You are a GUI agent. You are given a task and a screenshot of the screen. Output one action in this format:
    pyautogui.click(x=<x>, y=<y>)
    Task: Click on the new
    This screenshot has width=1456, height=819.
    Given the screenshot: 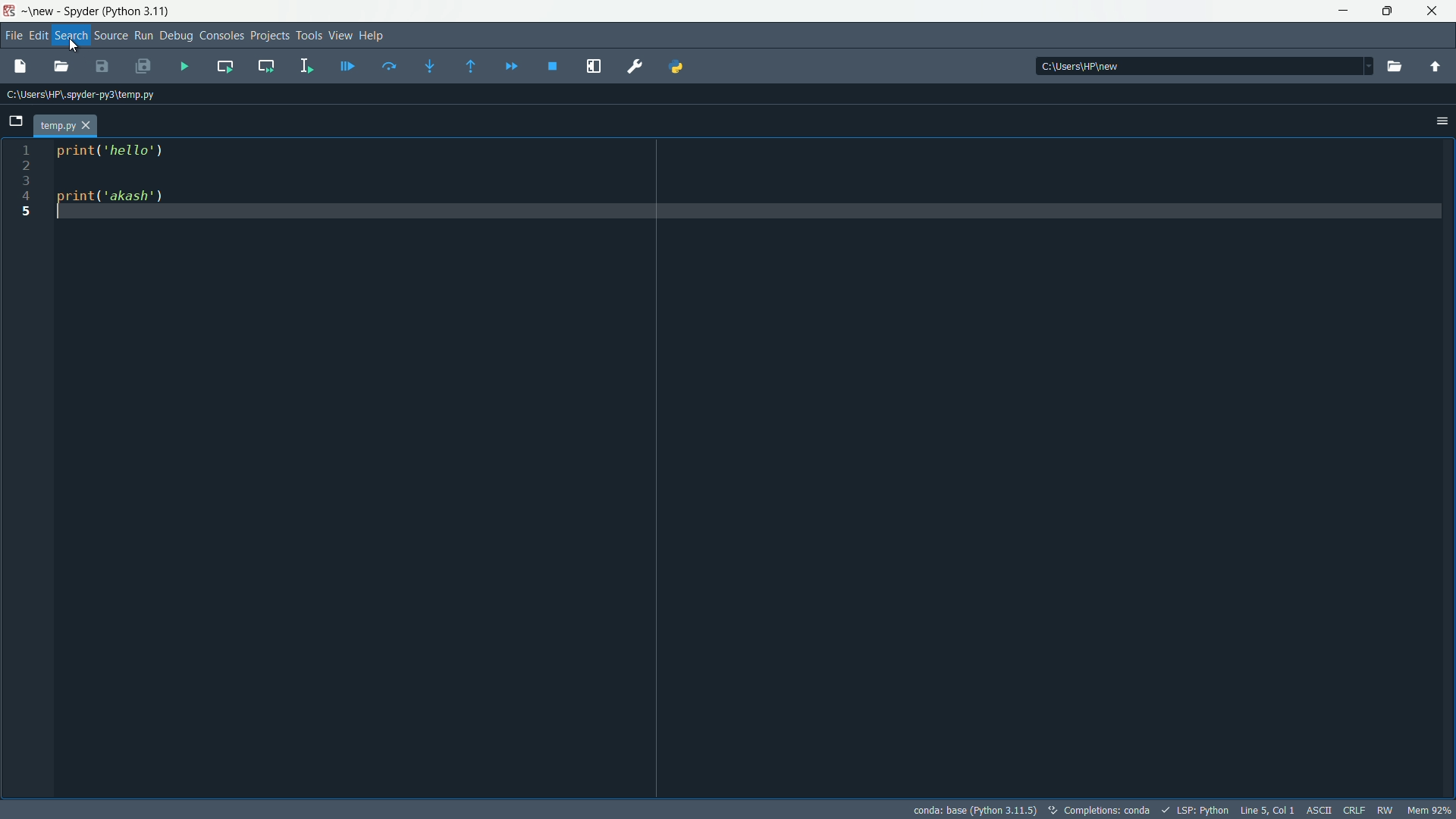 What is the action you would take?
    pyautogui.click(x=40, y=12)
    